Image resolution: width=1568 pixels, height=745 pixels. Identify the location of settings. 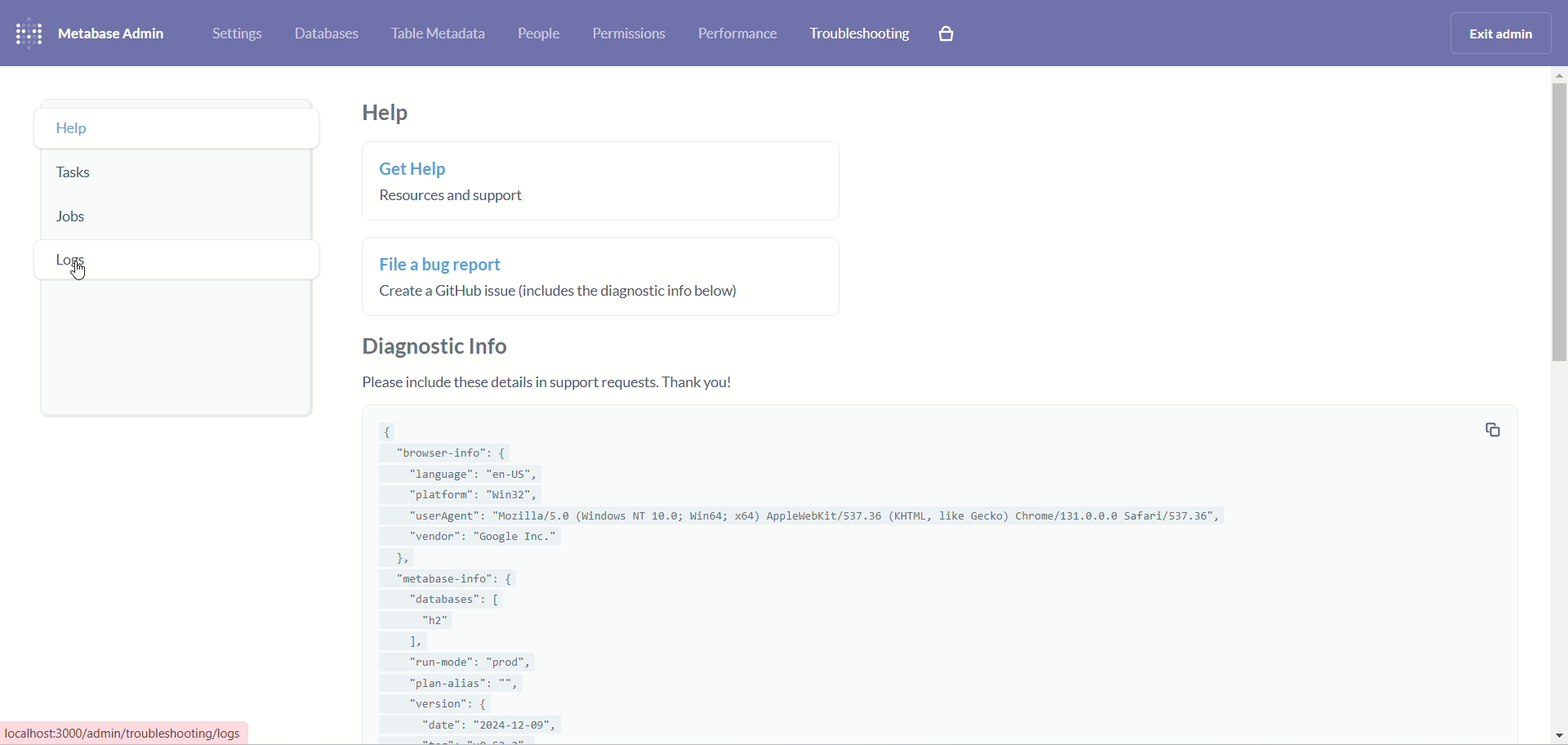
(237, 33).